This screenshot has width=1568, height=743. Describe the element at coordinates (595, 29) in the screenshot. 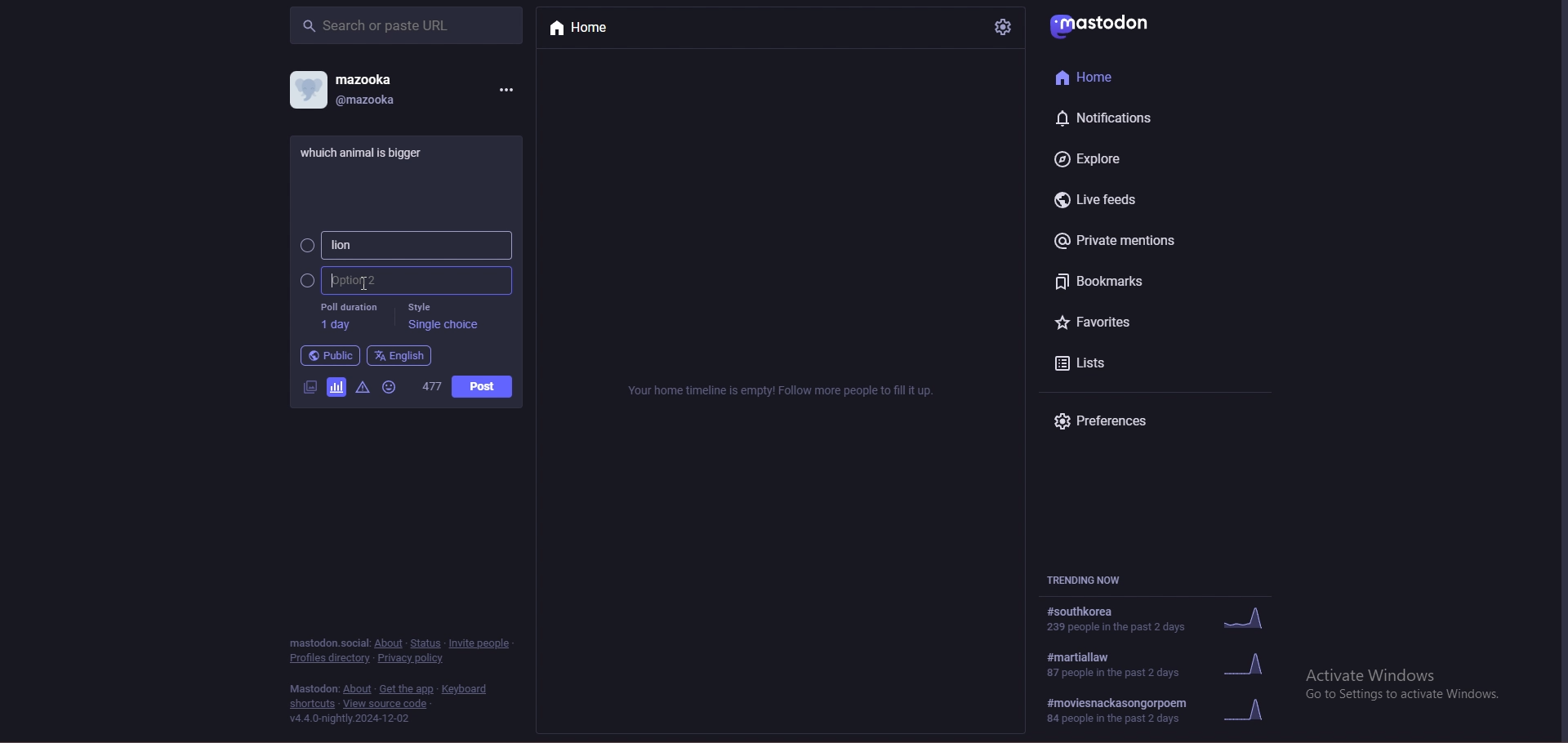

I see `home` at that location.